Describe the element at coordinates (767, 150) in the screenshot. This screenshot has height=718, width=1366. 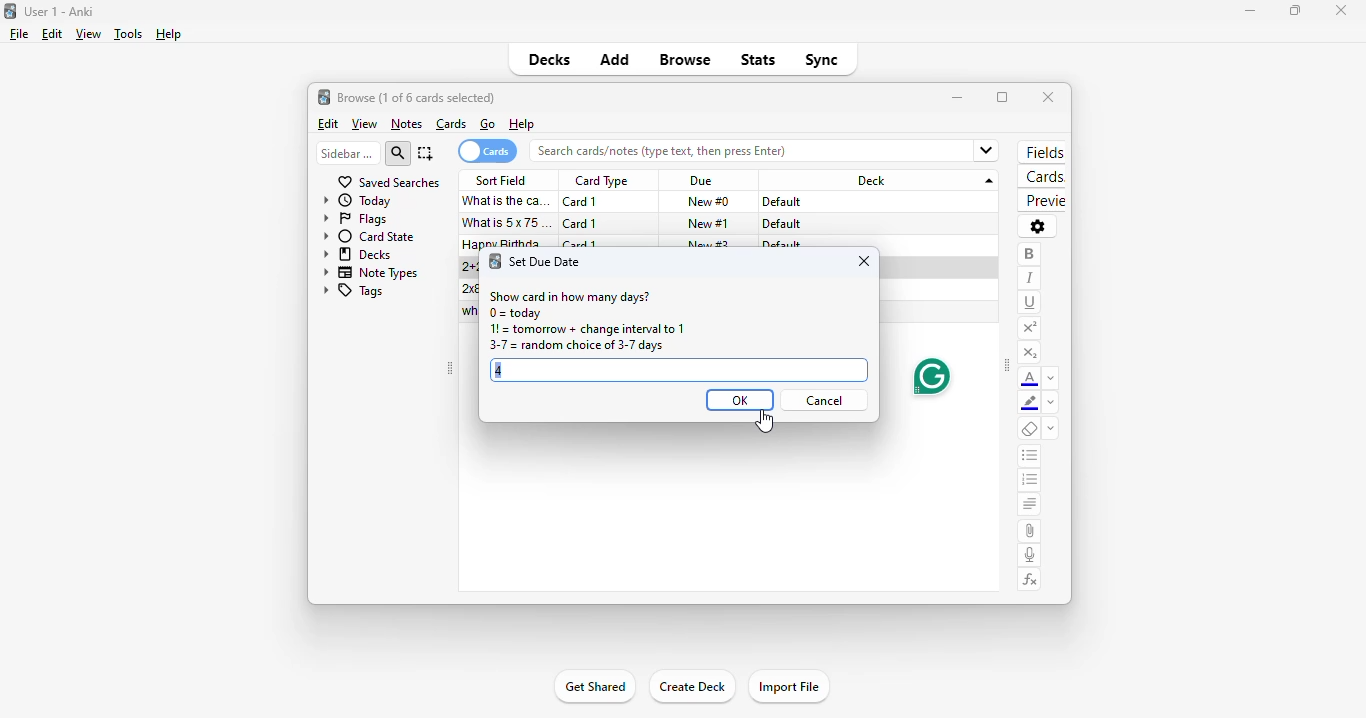
I see `Search cards/notes (type text, then press Enter)` at that location.